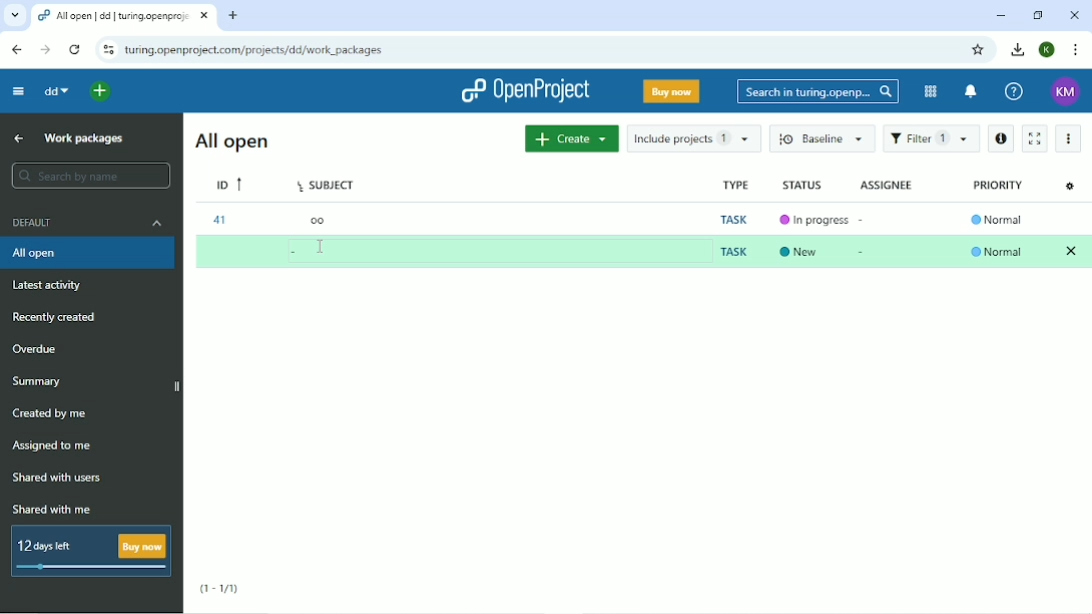 Image resolution: width=1092 pixels, height=614 pixels. Describe the element at coordinates (88, 225) in the screenshot. I see `Default` at that location.